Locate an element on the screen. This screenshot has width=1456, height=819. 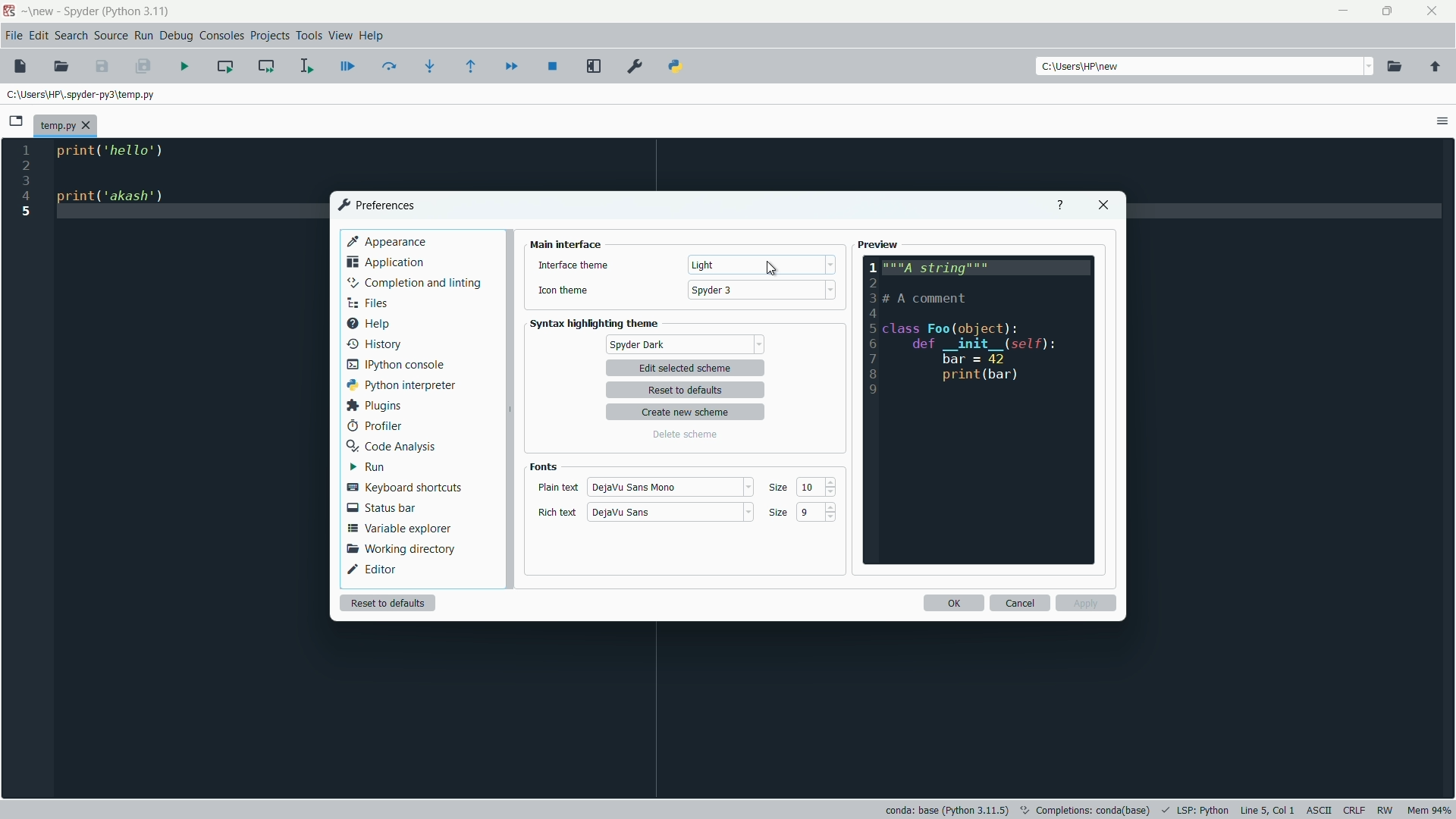
variable explorer is located at coordinates (400, 529).